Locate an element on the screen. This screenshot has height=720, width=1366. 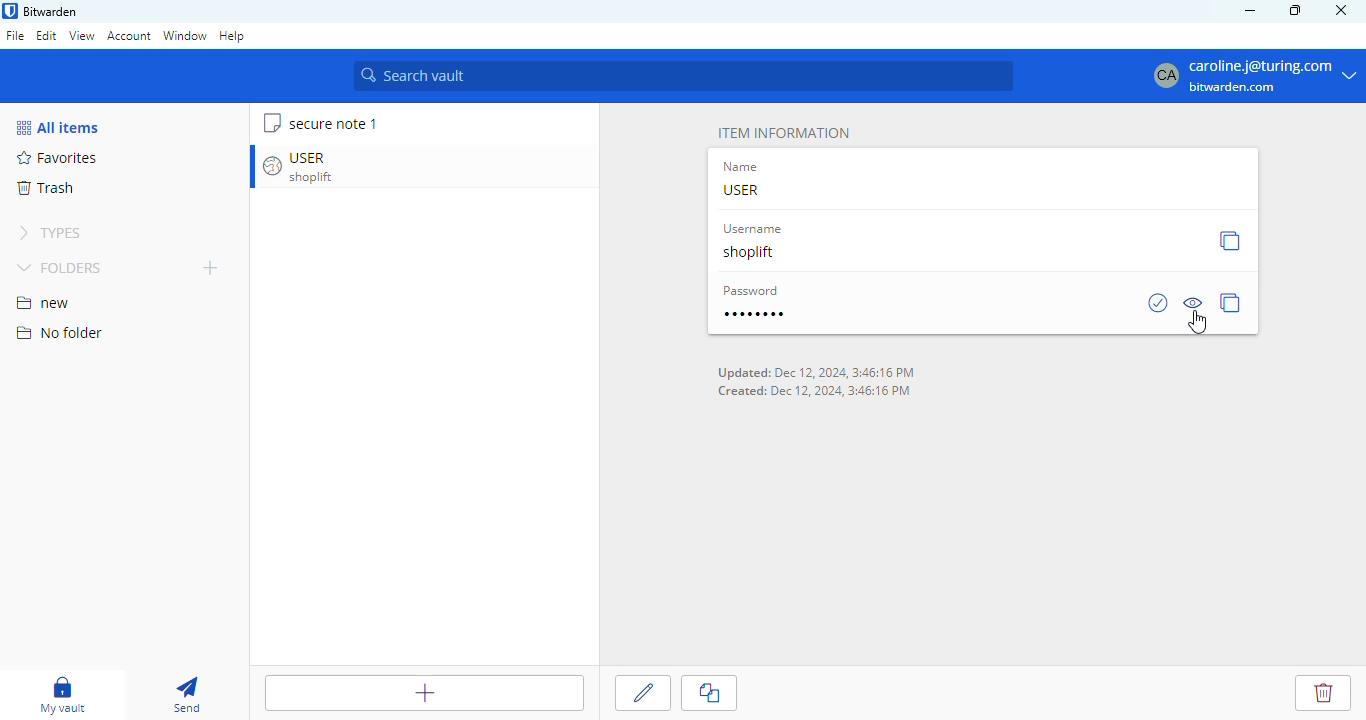
USER is located at coordinates (744, 189).